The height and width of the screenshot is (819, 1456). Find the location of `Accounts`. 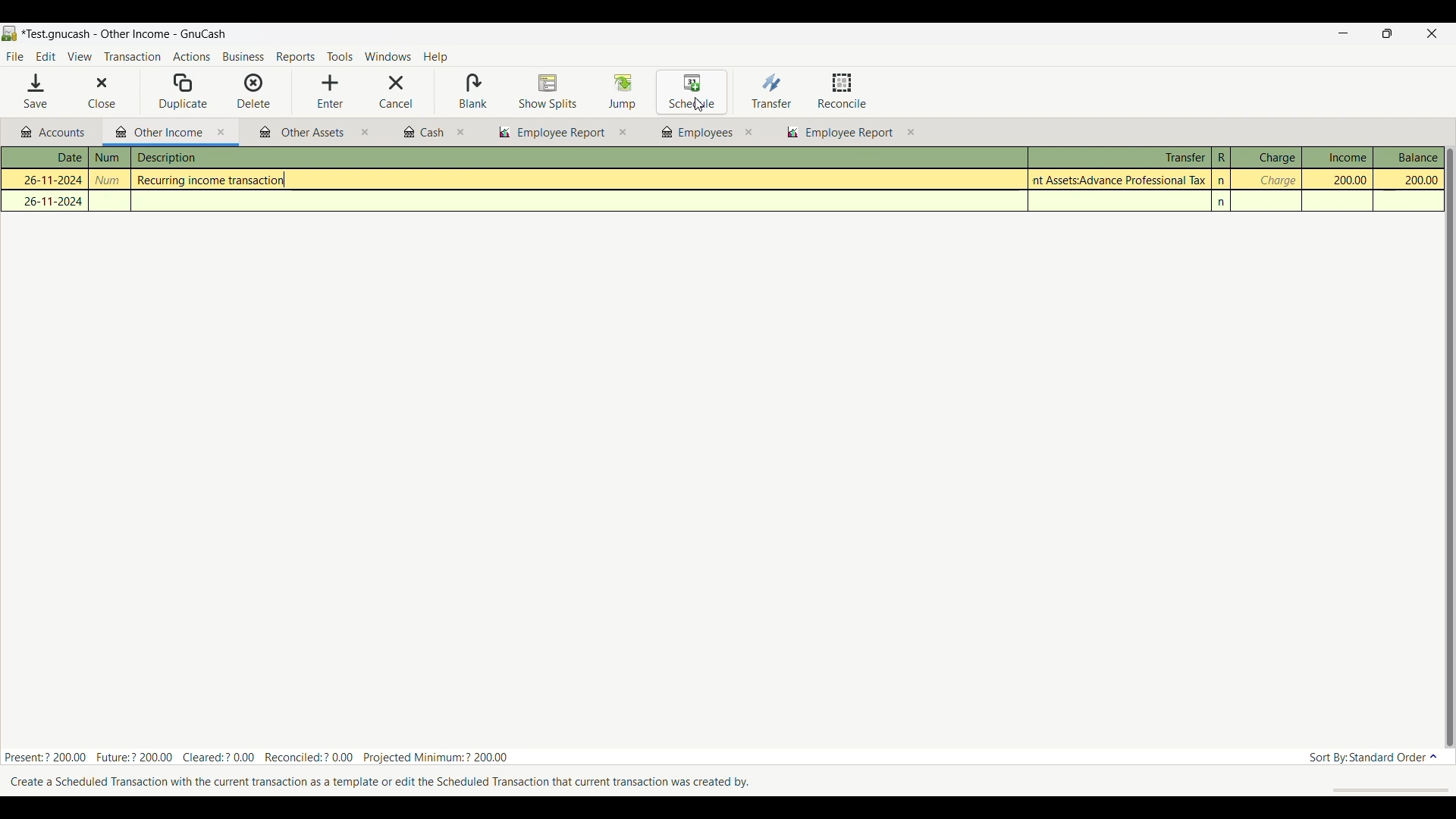

Accounts is located at coordinates (56, 133).